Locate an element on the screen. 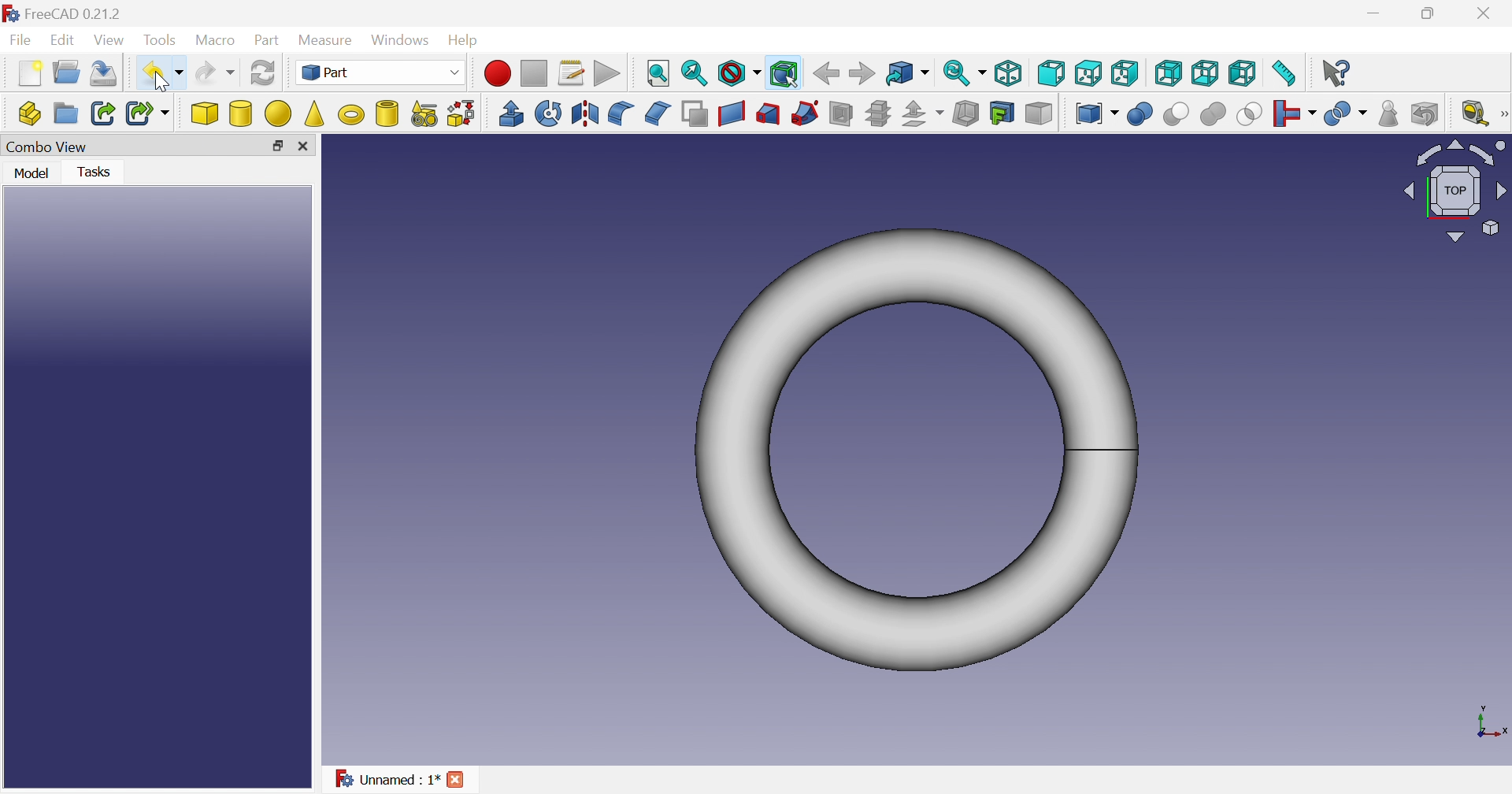  Front is located at coordinates (1051, 72).